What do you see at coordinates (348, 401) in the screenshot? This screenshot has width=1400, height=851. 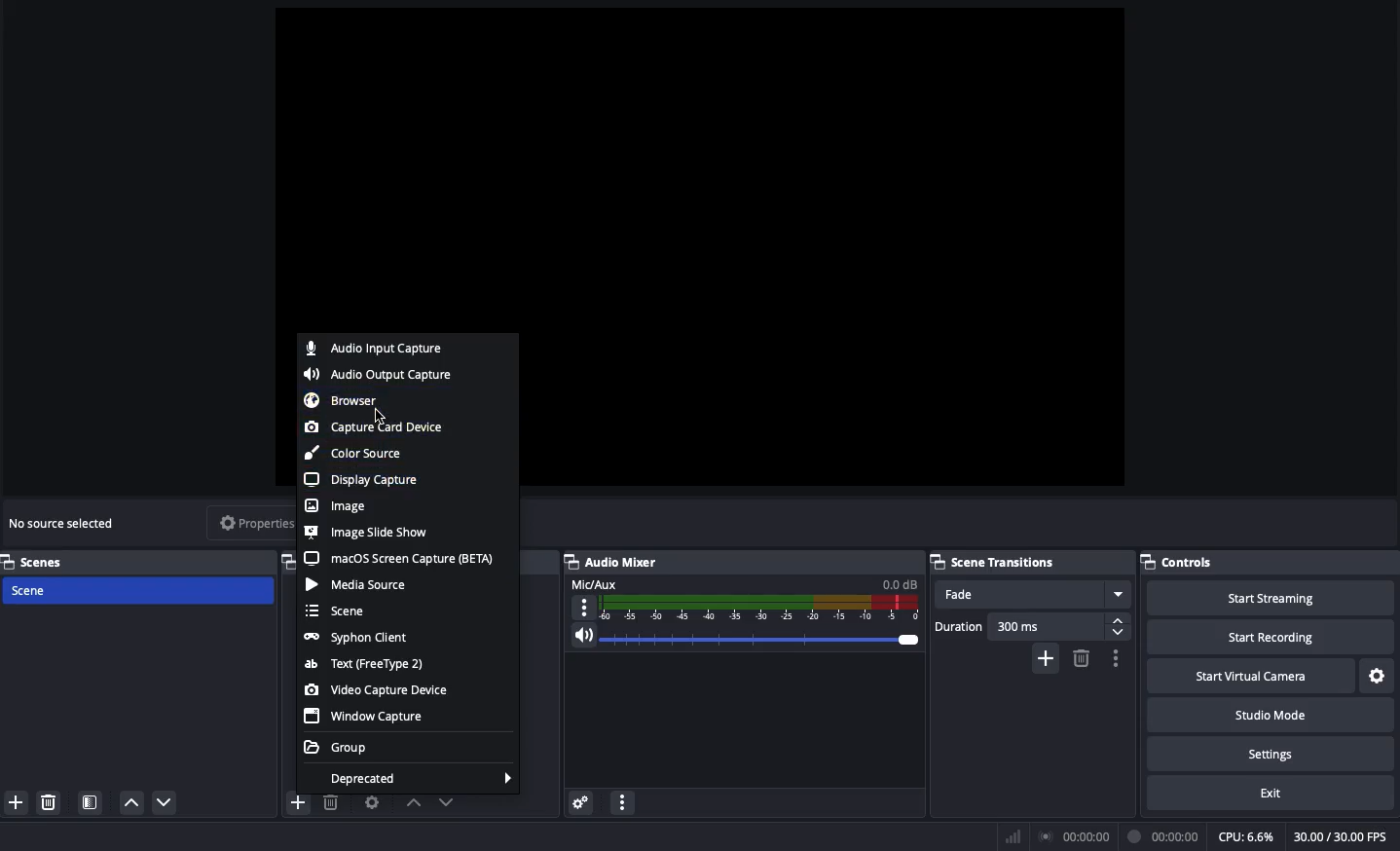 I see `Browser` at bounding box center [348, 401].